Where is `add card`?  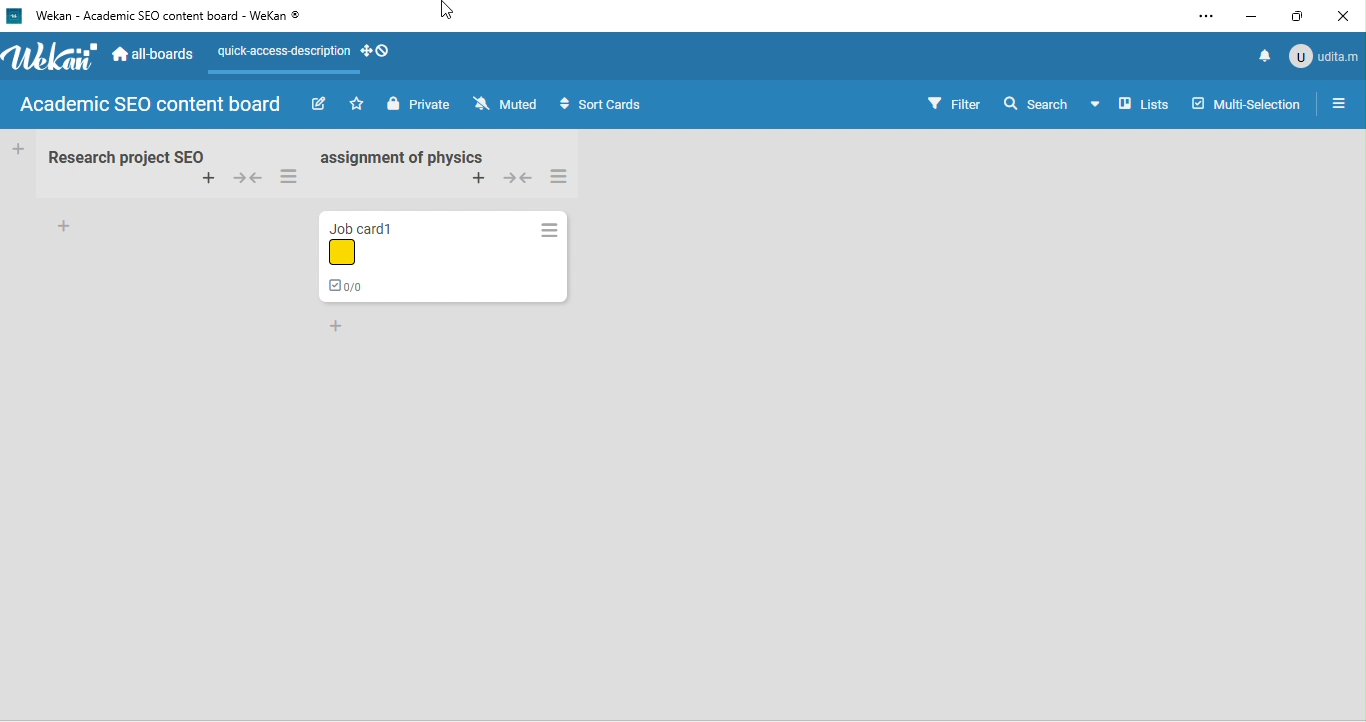
add card is located at coordinates (479, 183).